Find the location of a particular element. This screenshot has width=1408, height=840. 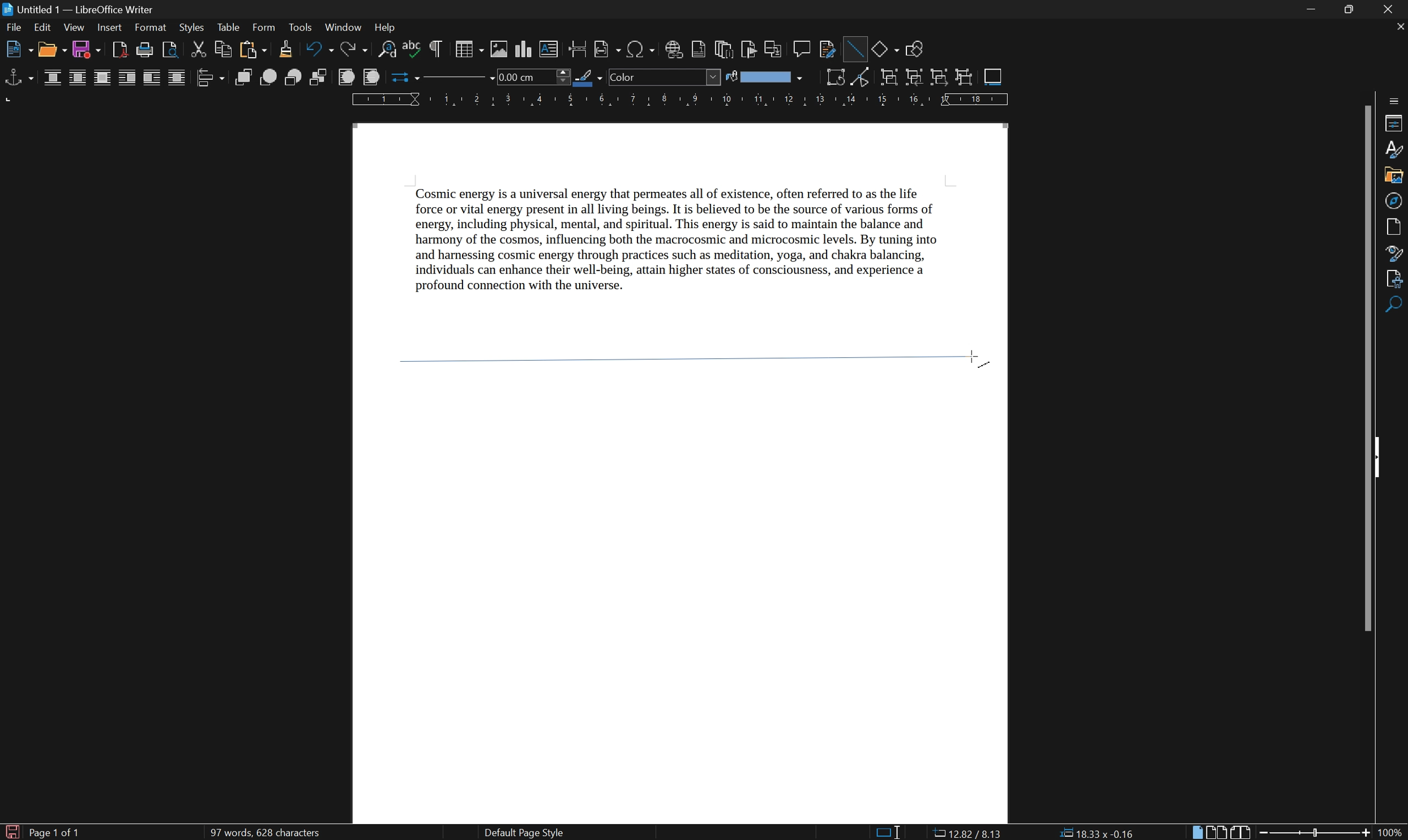

area style is located at coordinates (665, 77).